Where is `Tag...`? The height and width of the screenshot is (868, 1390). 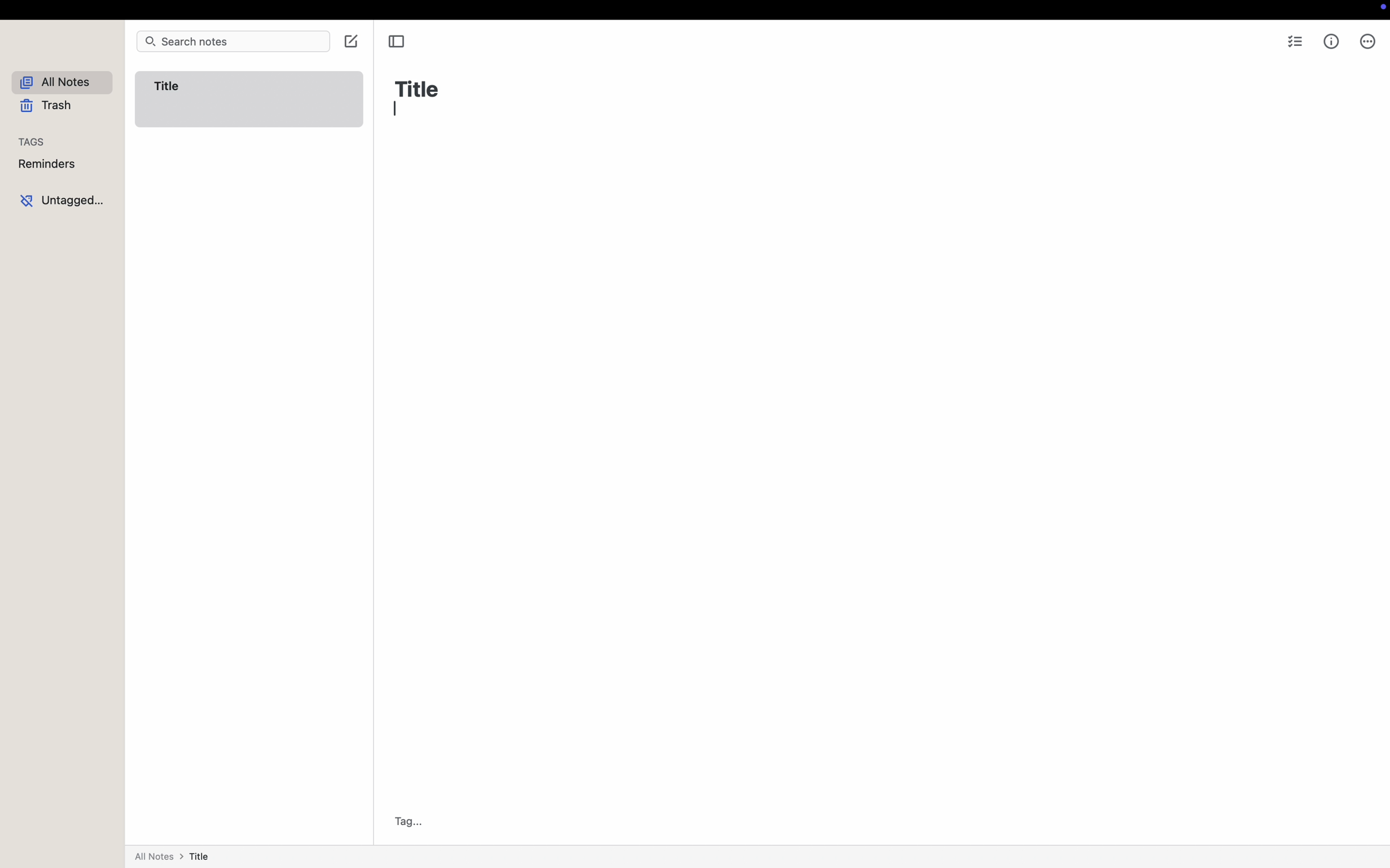
Tag... is located at coordinates (412, 821).